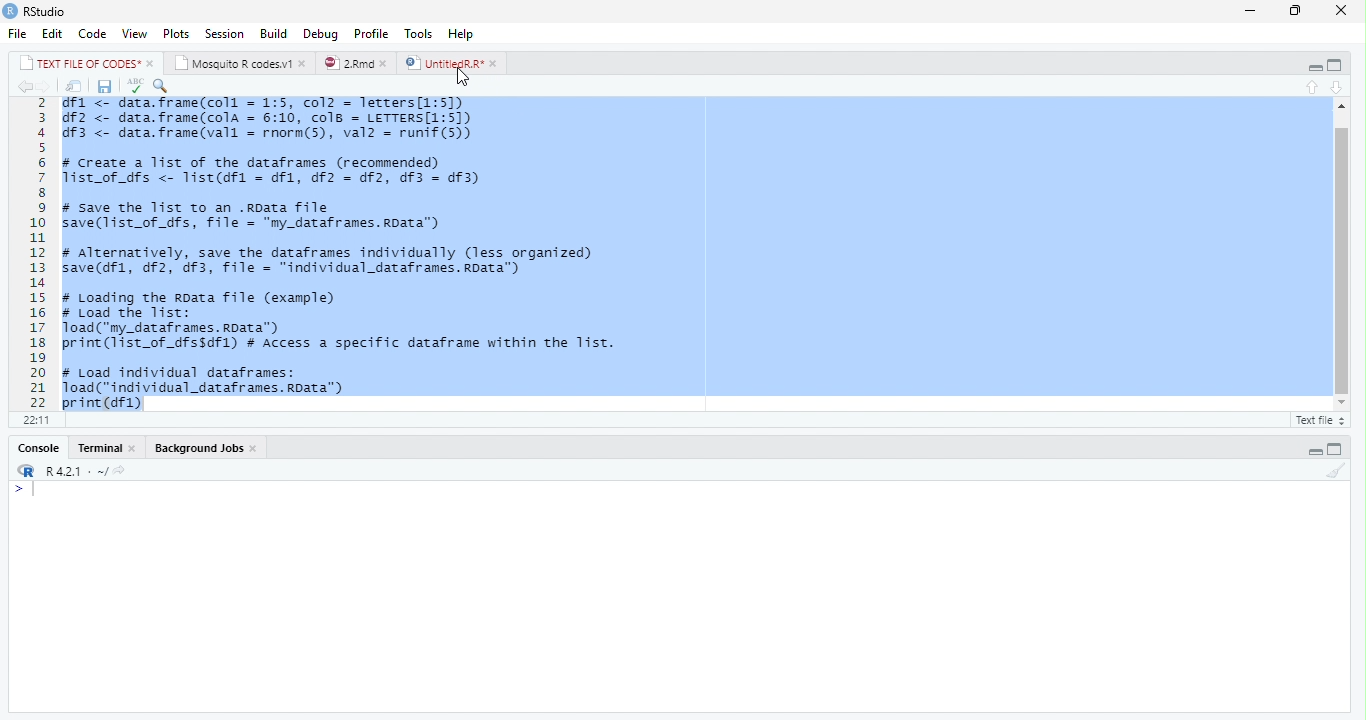 Image resolution: width=1366 pixels, height=720 pixels. I want to click on Go to previous section, so click(1314, 87).